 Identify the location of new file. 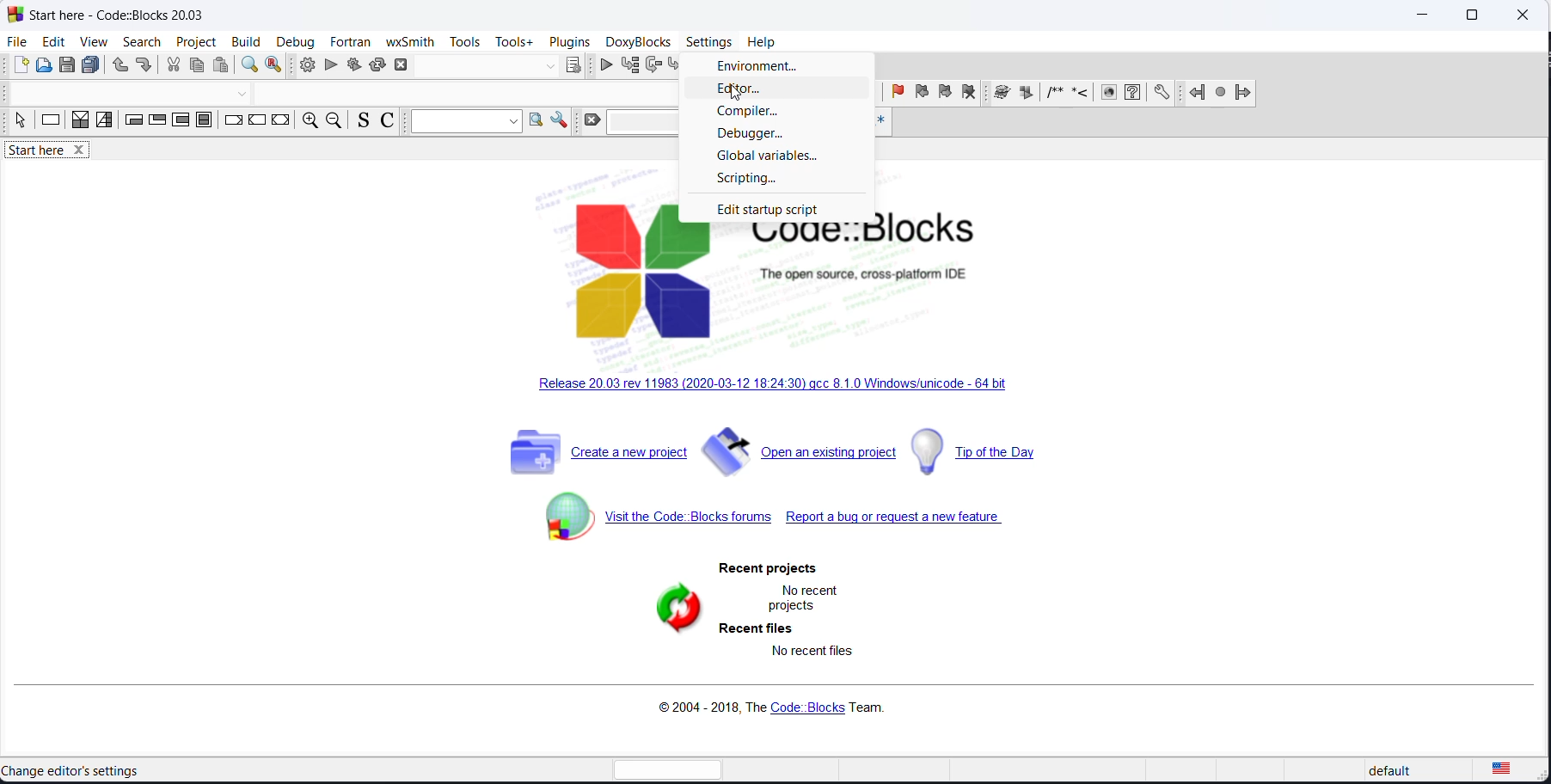
(20, 65).